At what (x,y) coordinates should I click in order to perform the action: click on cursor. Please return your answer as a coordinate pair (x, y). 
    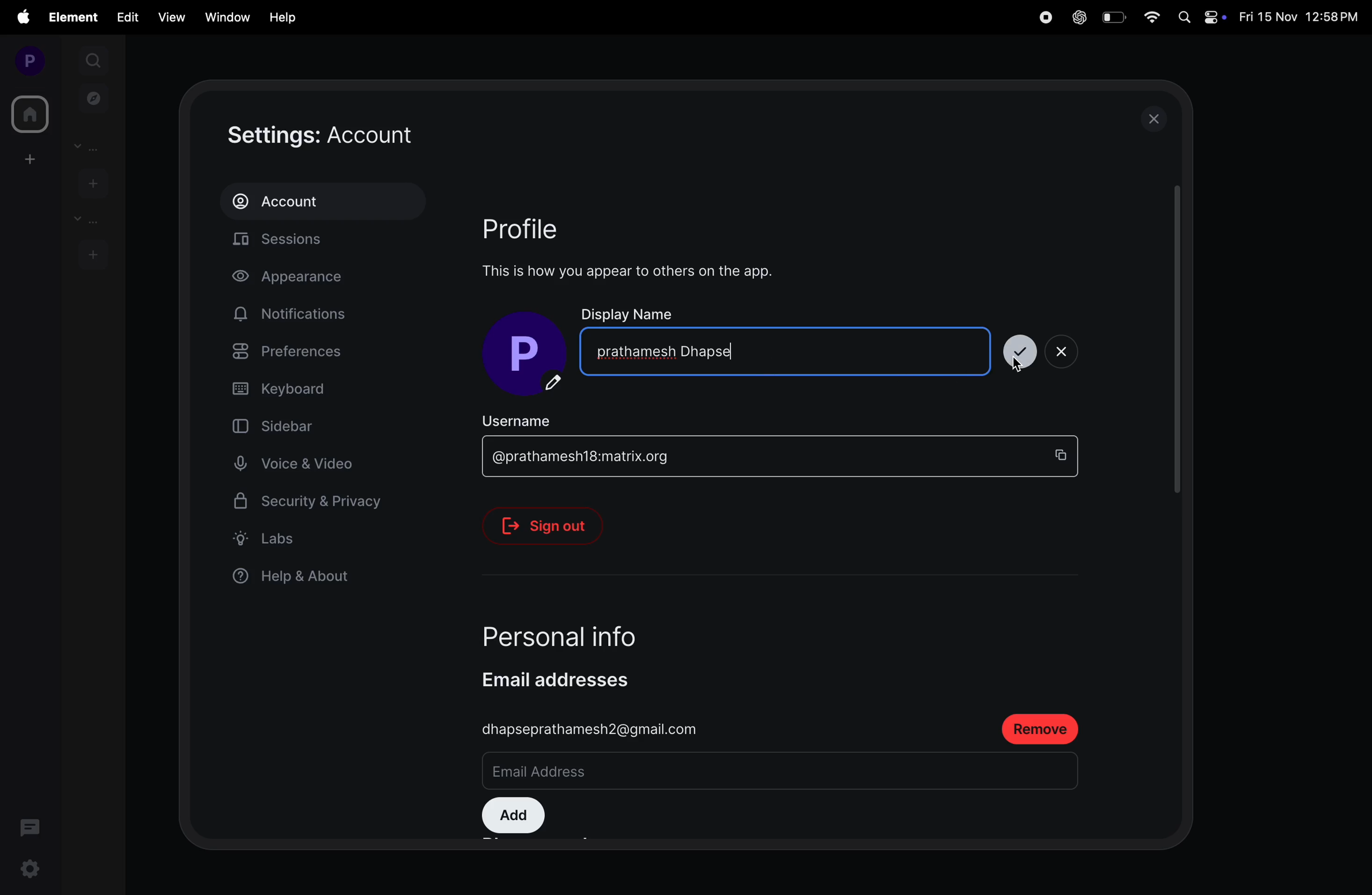
    Looking at the image, I should click on (1016, 368).